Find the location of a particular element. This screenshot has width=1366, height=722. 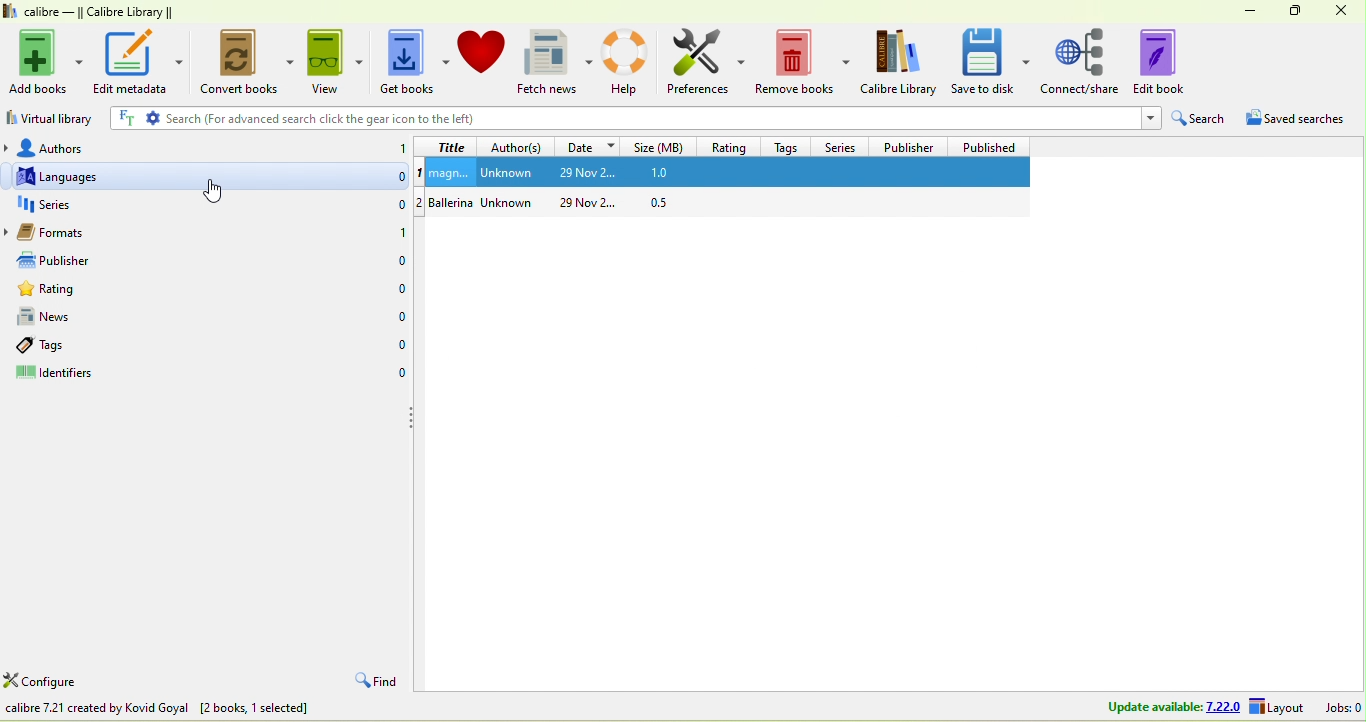

virtual library is located at coordinates (52, 117).